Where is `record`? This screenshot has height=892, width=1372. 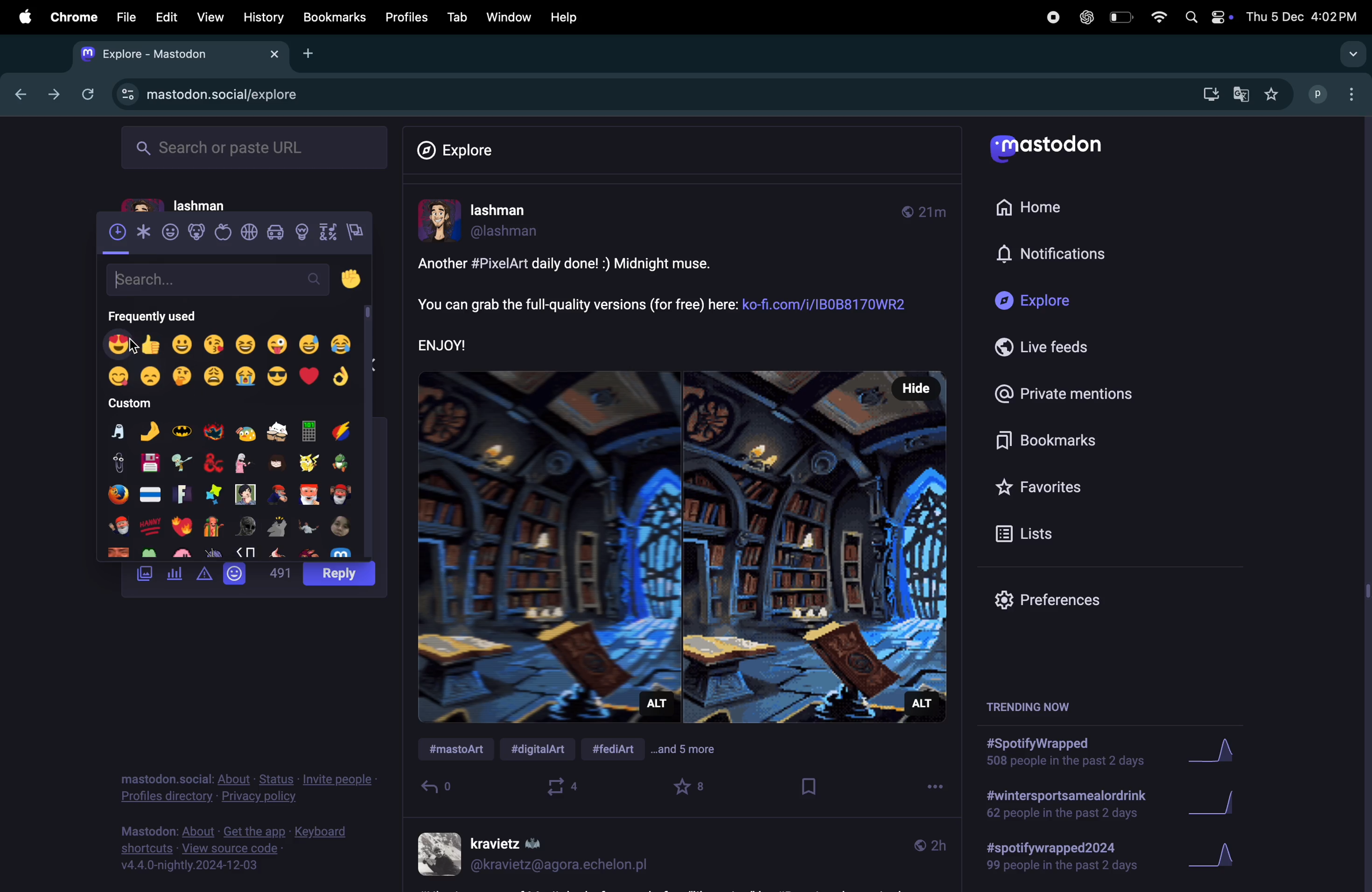 record is located at coordinates (1051, 18).